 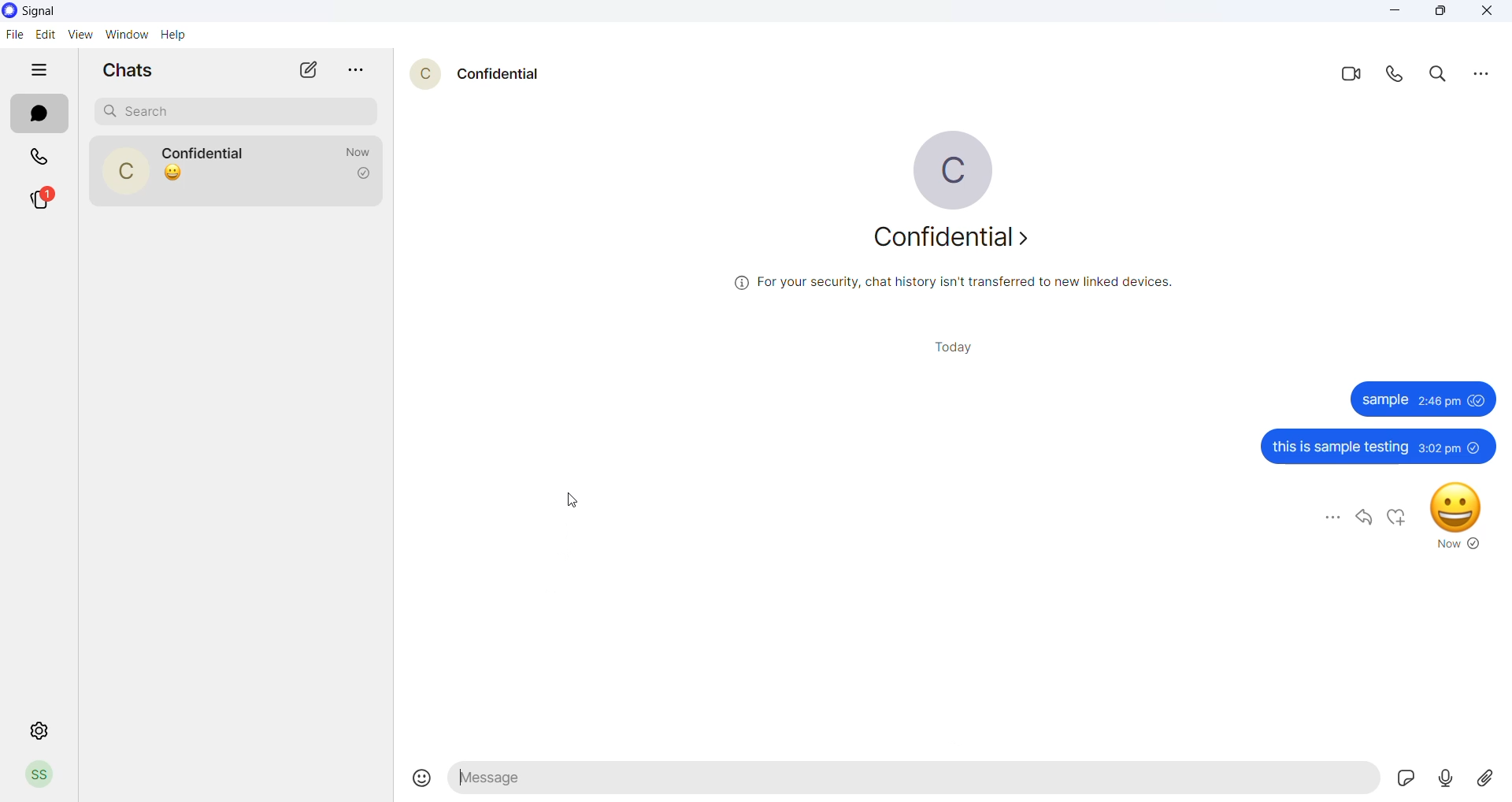 I want to click on file, so click(x=14, y=35).